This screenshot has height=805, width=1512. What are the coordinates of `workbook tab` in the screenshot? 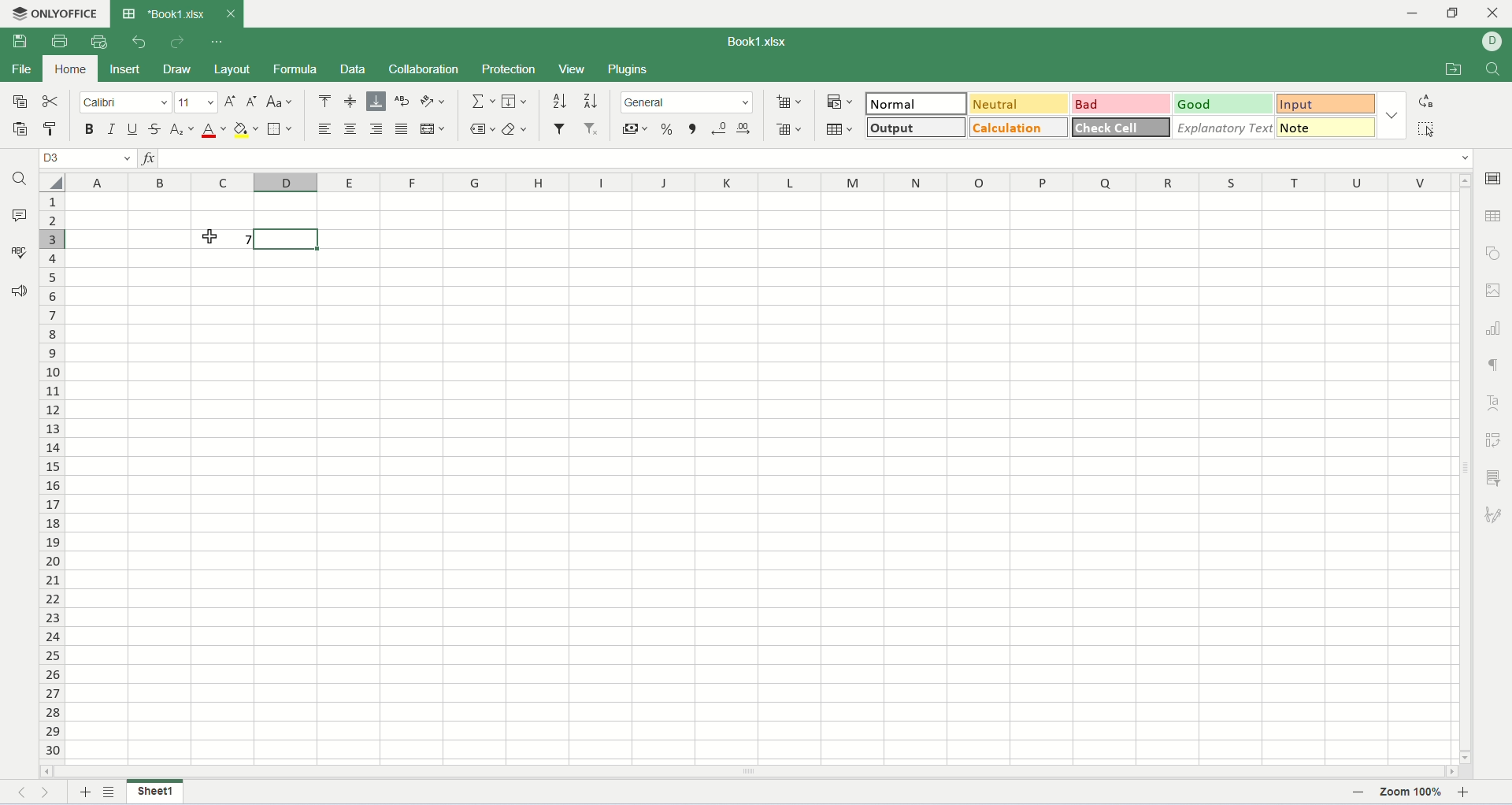 It's located at (166, 13).